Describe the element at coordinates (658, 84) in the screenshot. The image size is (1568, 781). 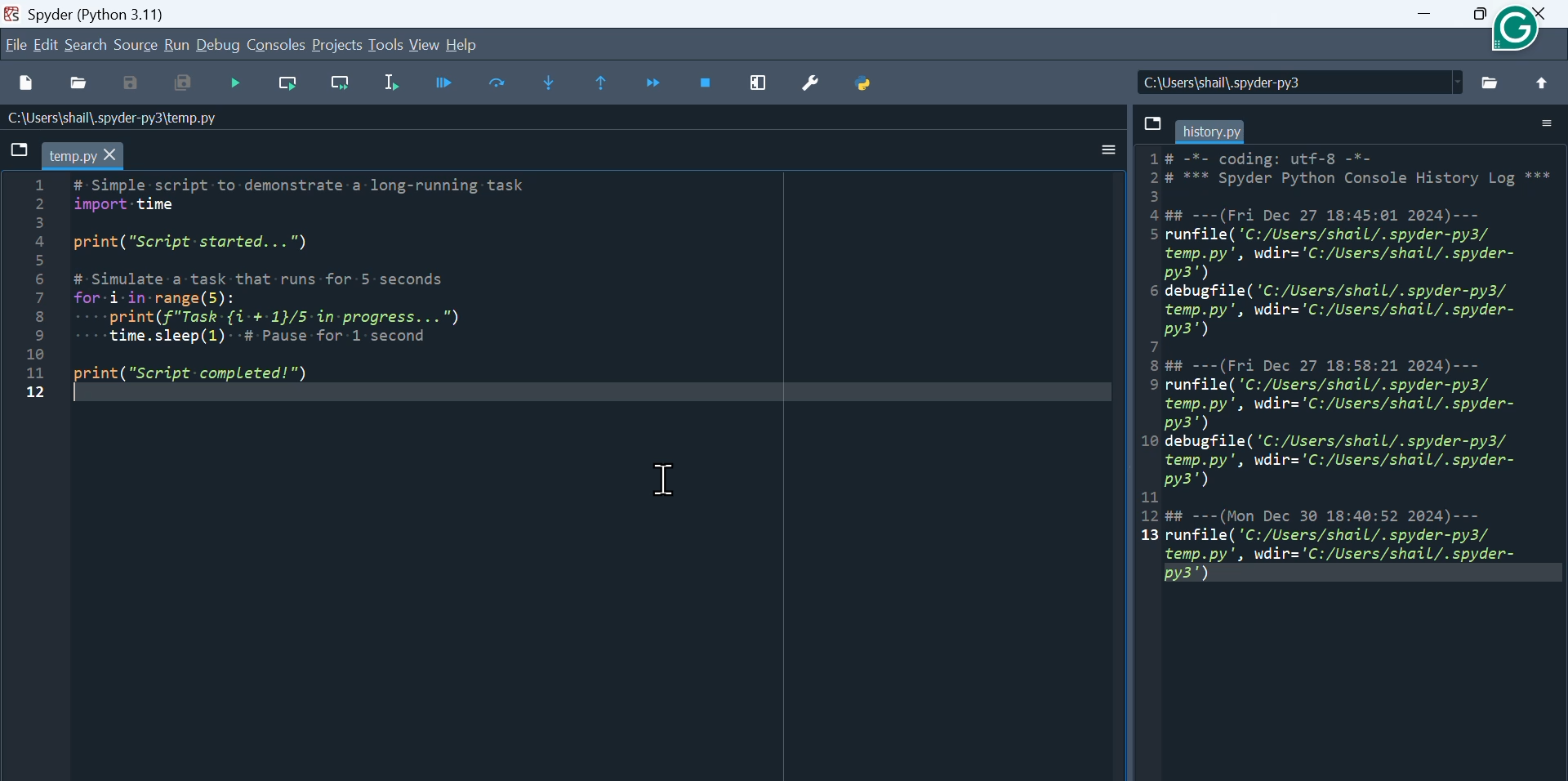
I see `Continue execution until next function` at that location.